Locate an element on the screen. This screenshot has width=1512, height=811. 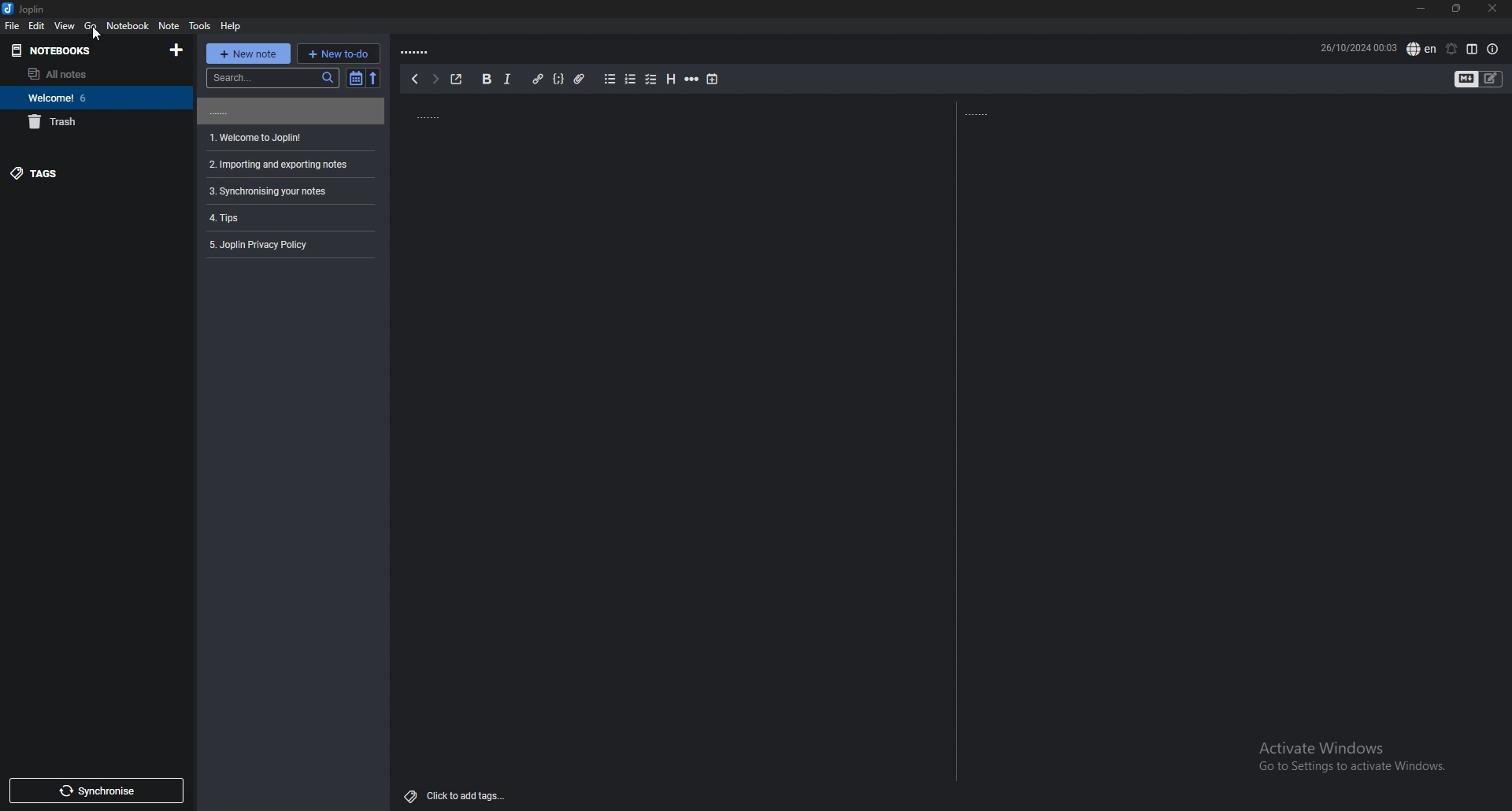
add attachment is located at coordinates (580, 79).